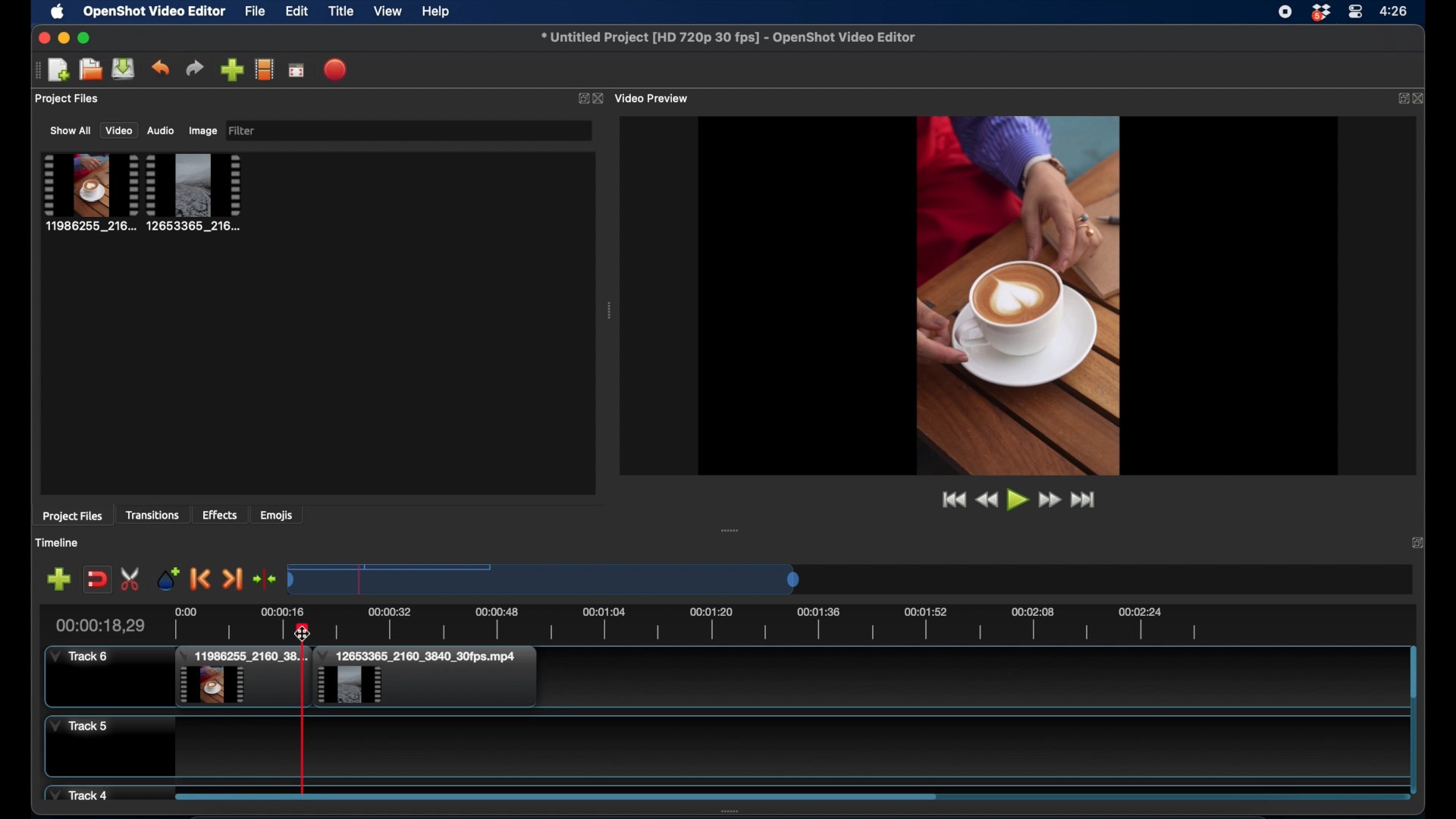  Describe the element at coordinates (303, 713) in the screenshot. I see `playhead` at that location.